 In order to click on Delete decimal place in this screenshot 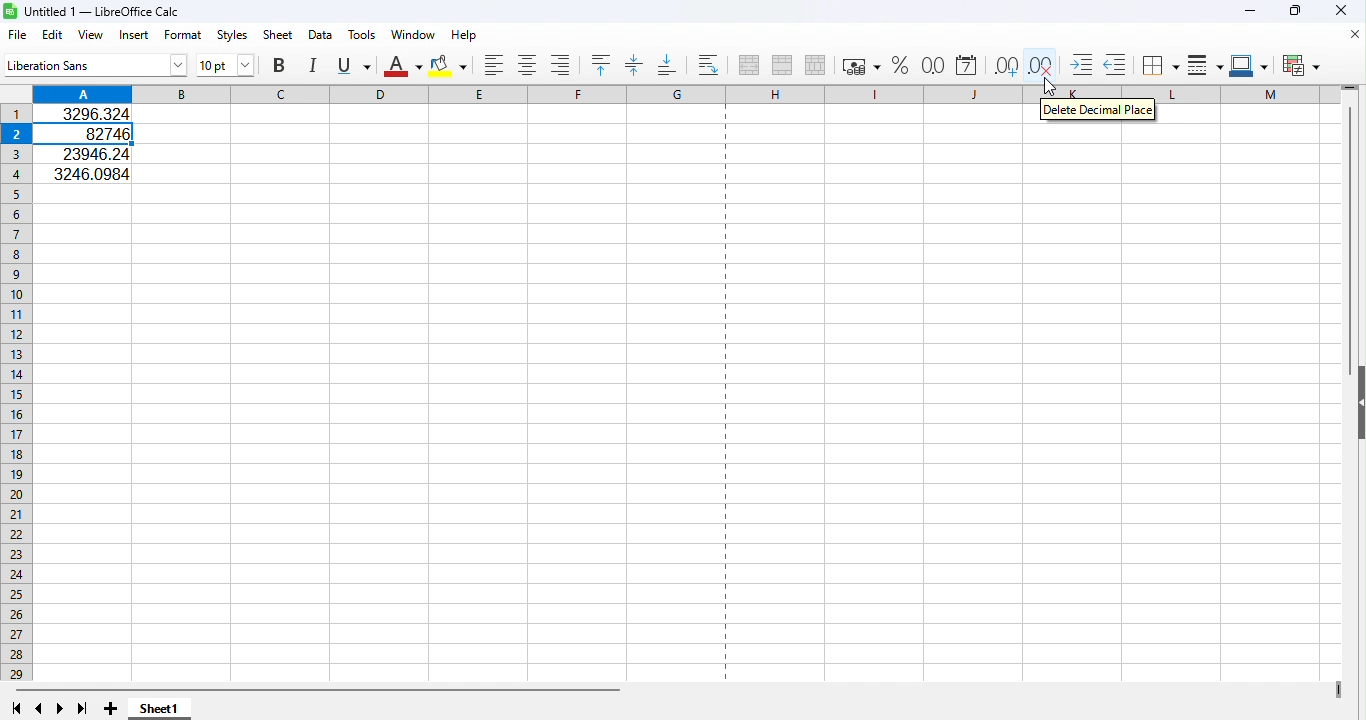, I will do `click(1038, 64)`.